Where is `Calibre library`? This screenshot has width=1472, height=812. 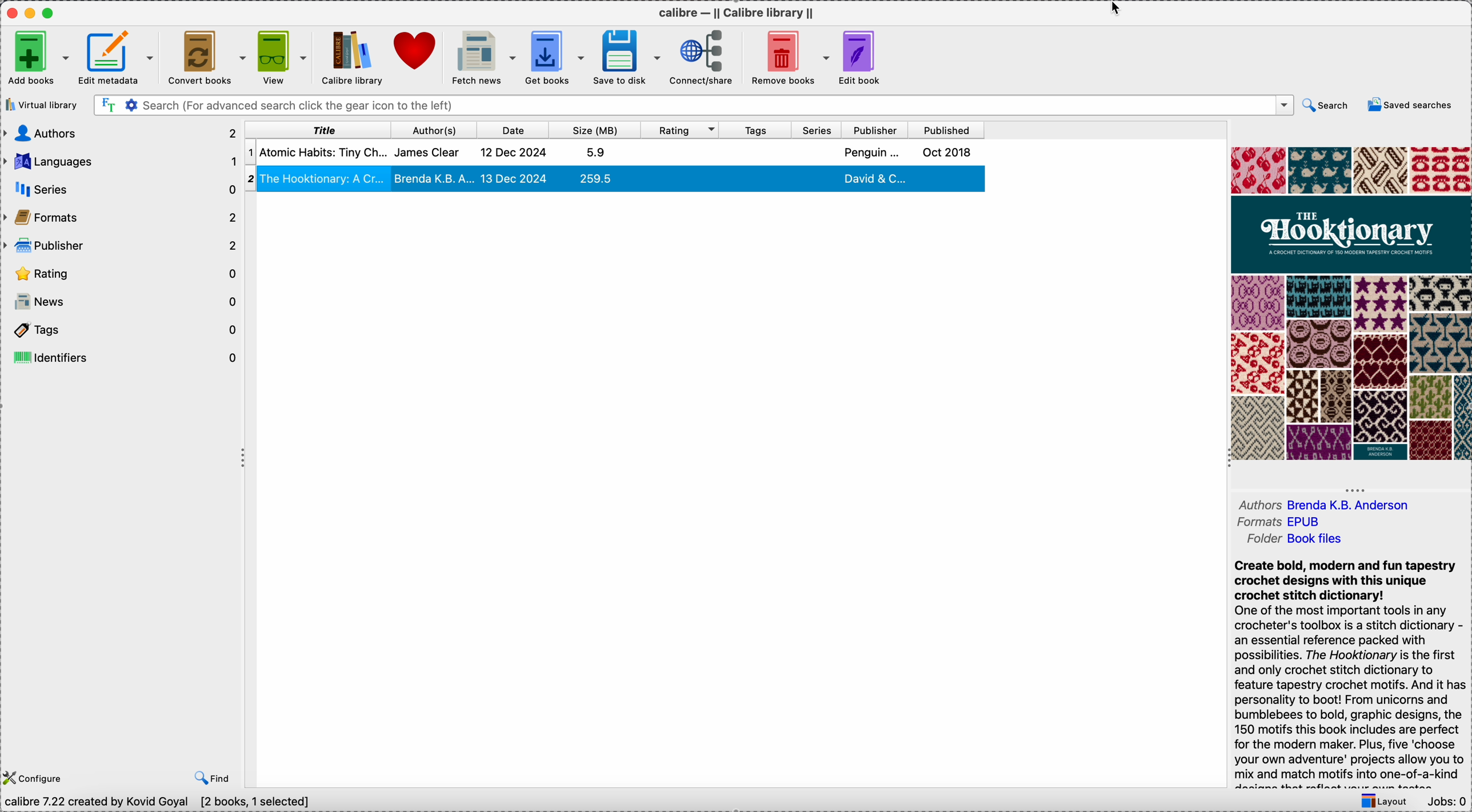
Calibre library is located at coordinates (352, 59).